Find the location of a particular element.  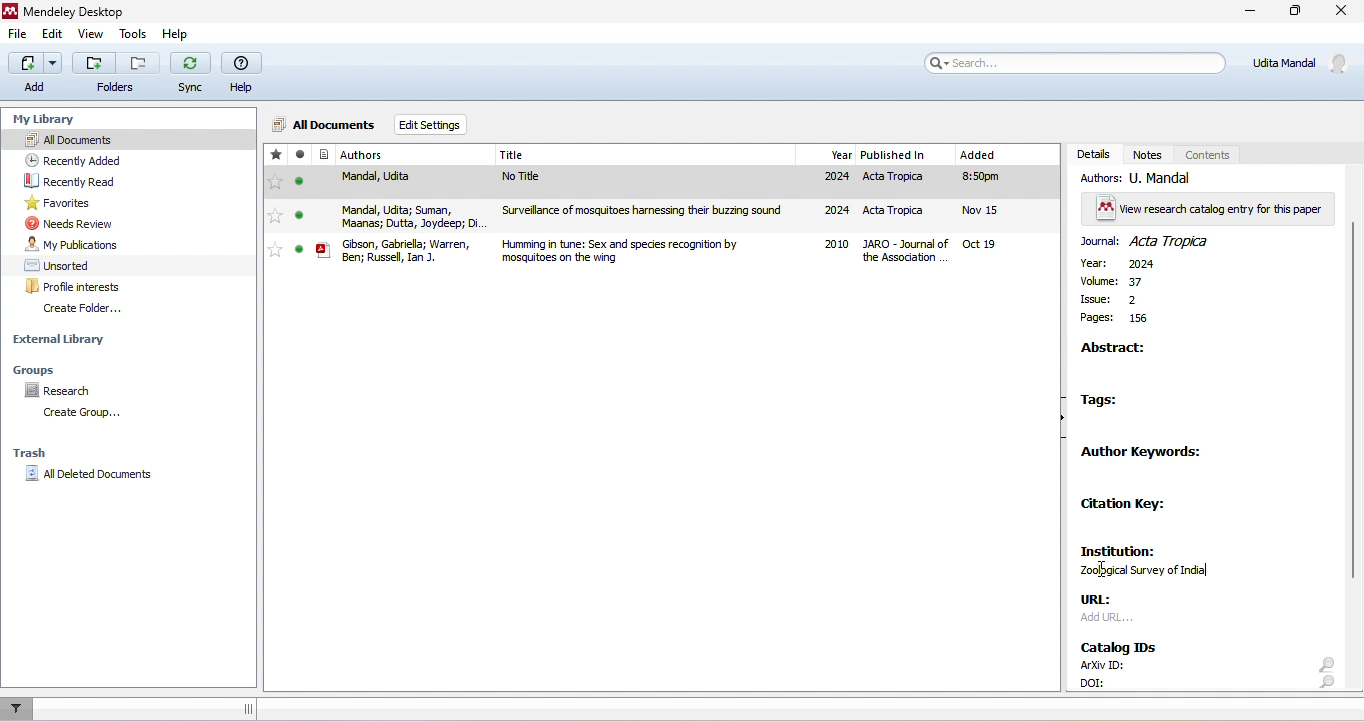

acta tropica is located at coordinates (908, 181).